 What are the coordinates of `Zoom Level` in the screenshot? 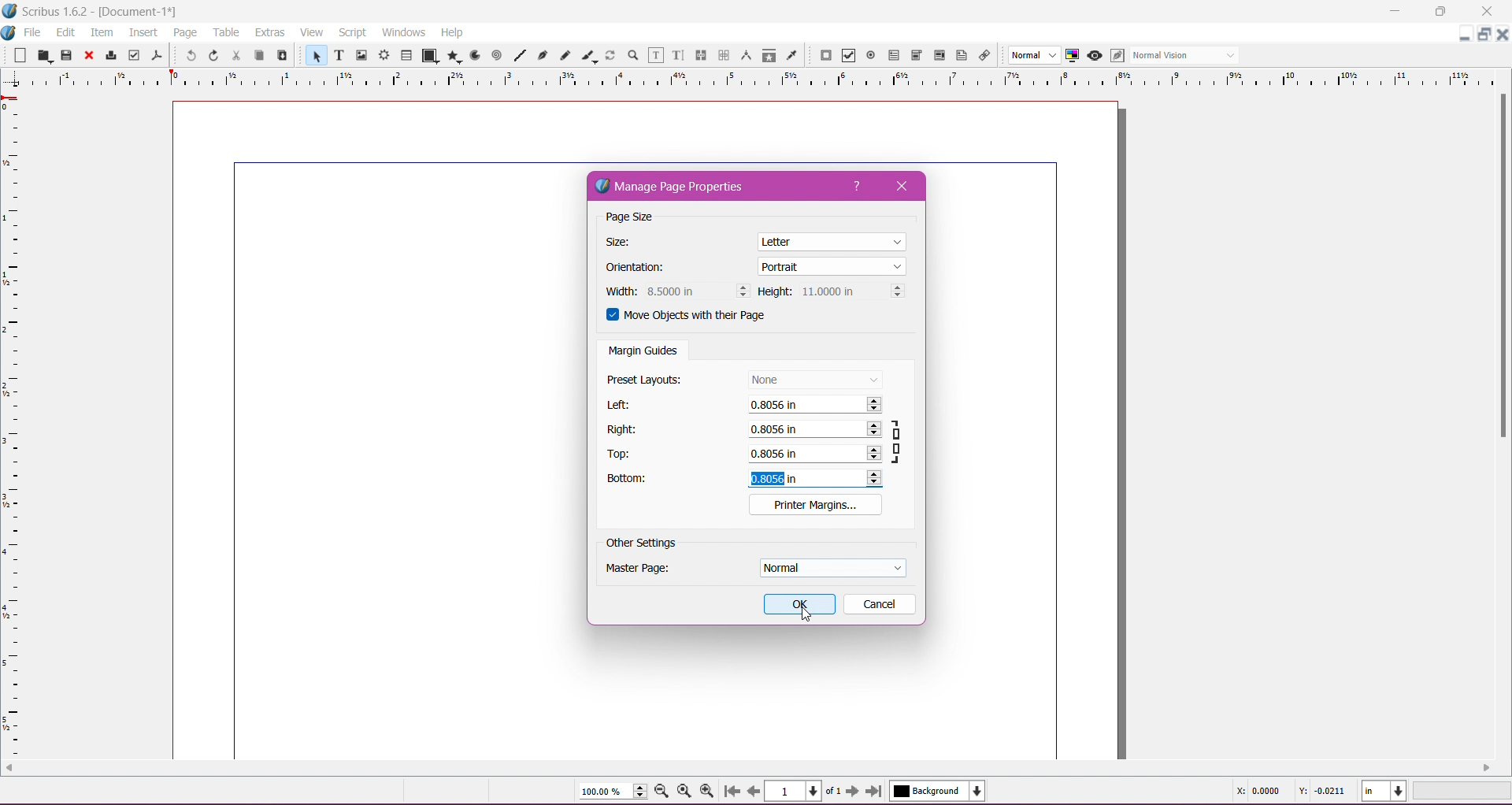 It's located at (1463, 791).